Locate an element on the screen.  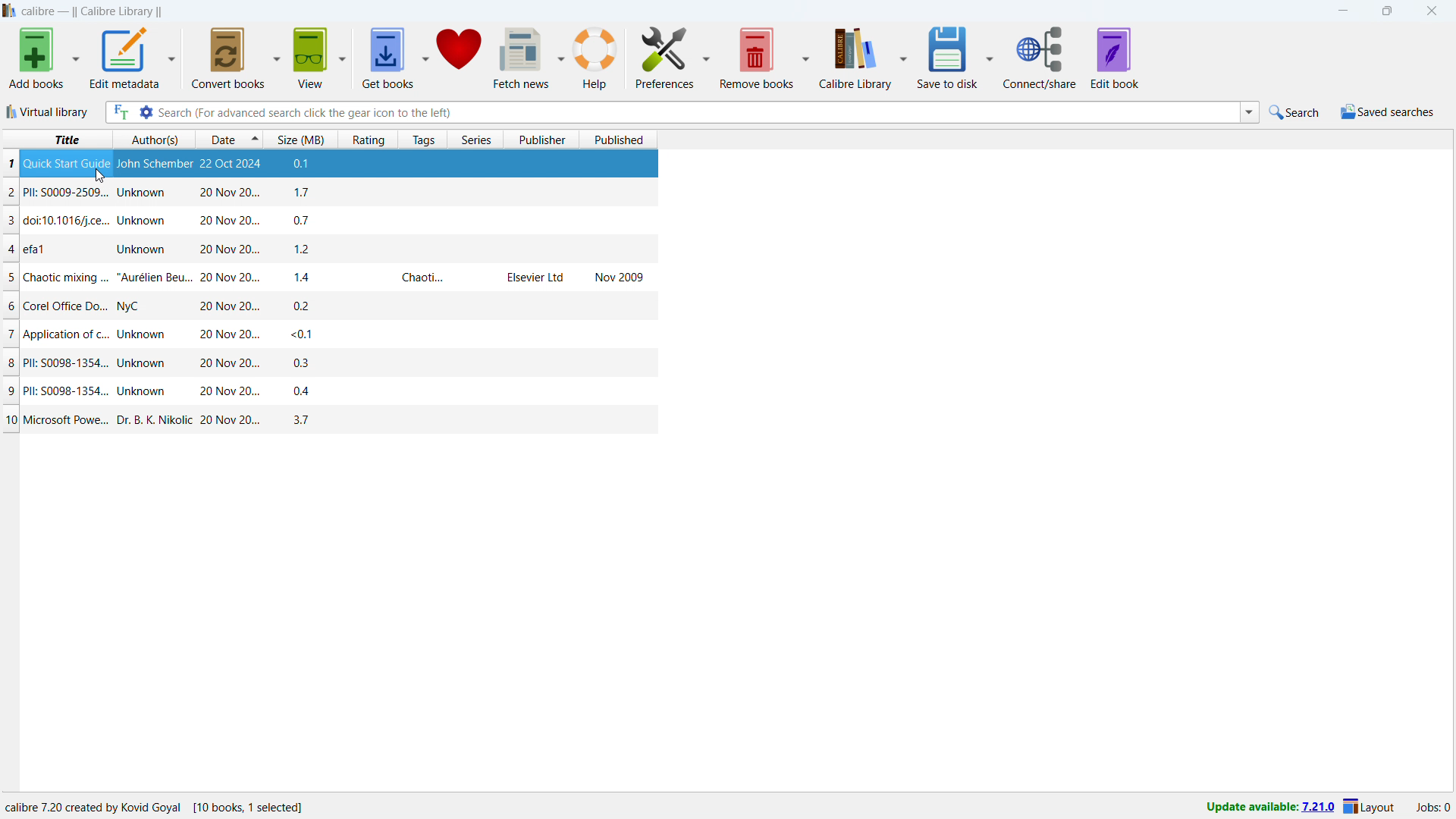
advanced search is located at coordinates (146, 113).